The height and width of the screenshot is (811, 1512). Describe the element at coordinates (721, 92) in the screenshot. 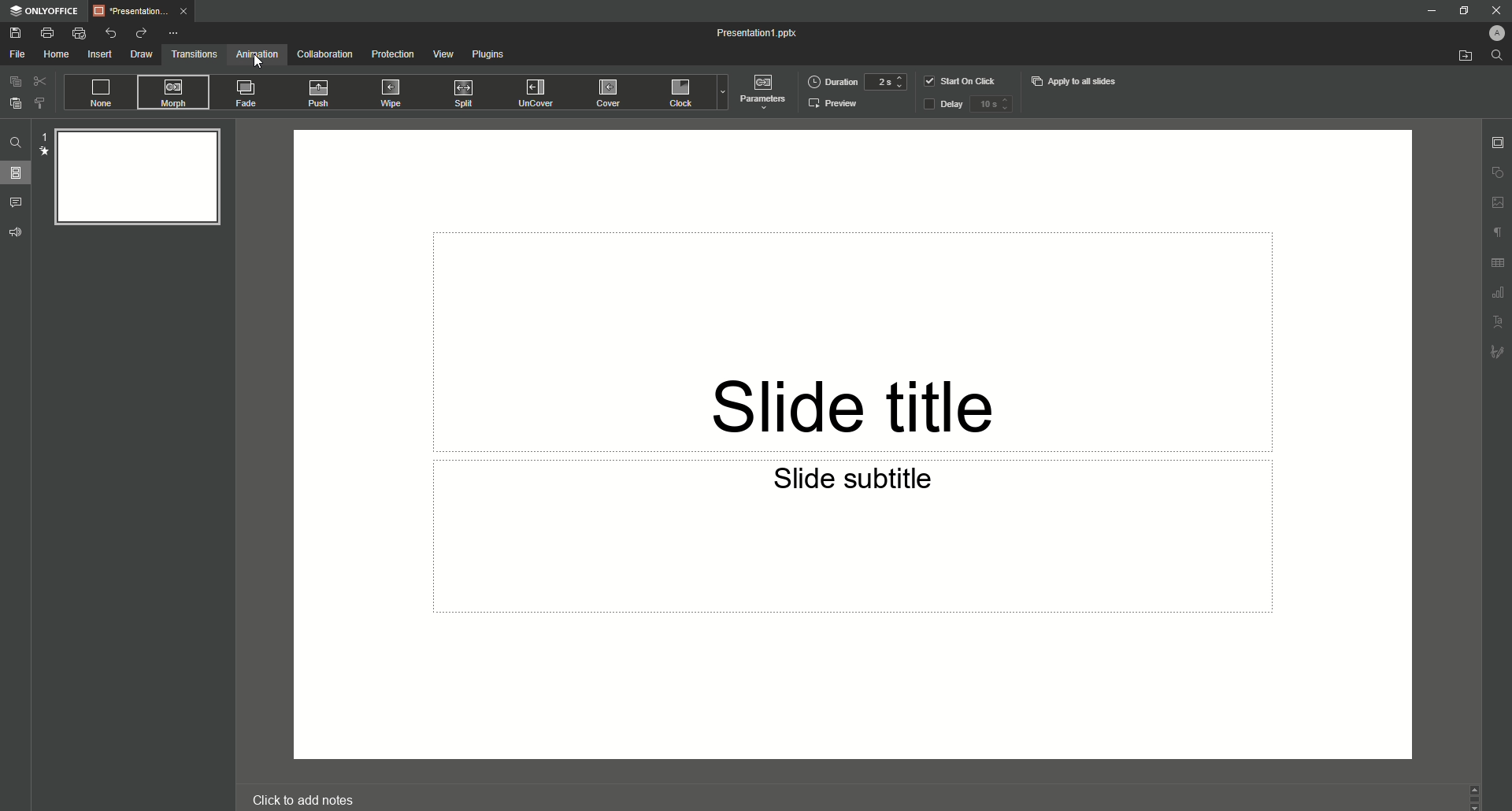

I see `Drop down menu` at that location.